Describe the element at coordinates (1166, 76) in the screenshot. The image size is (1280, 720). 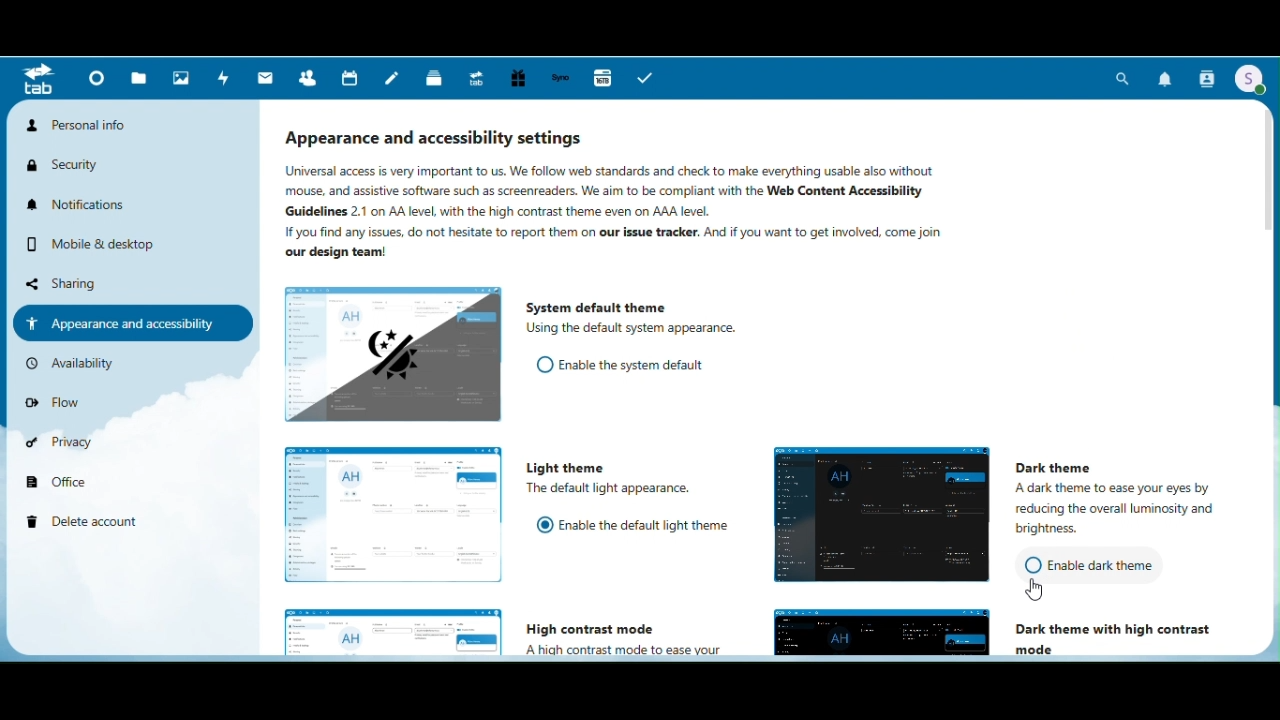
I see `Notifications` at that location.